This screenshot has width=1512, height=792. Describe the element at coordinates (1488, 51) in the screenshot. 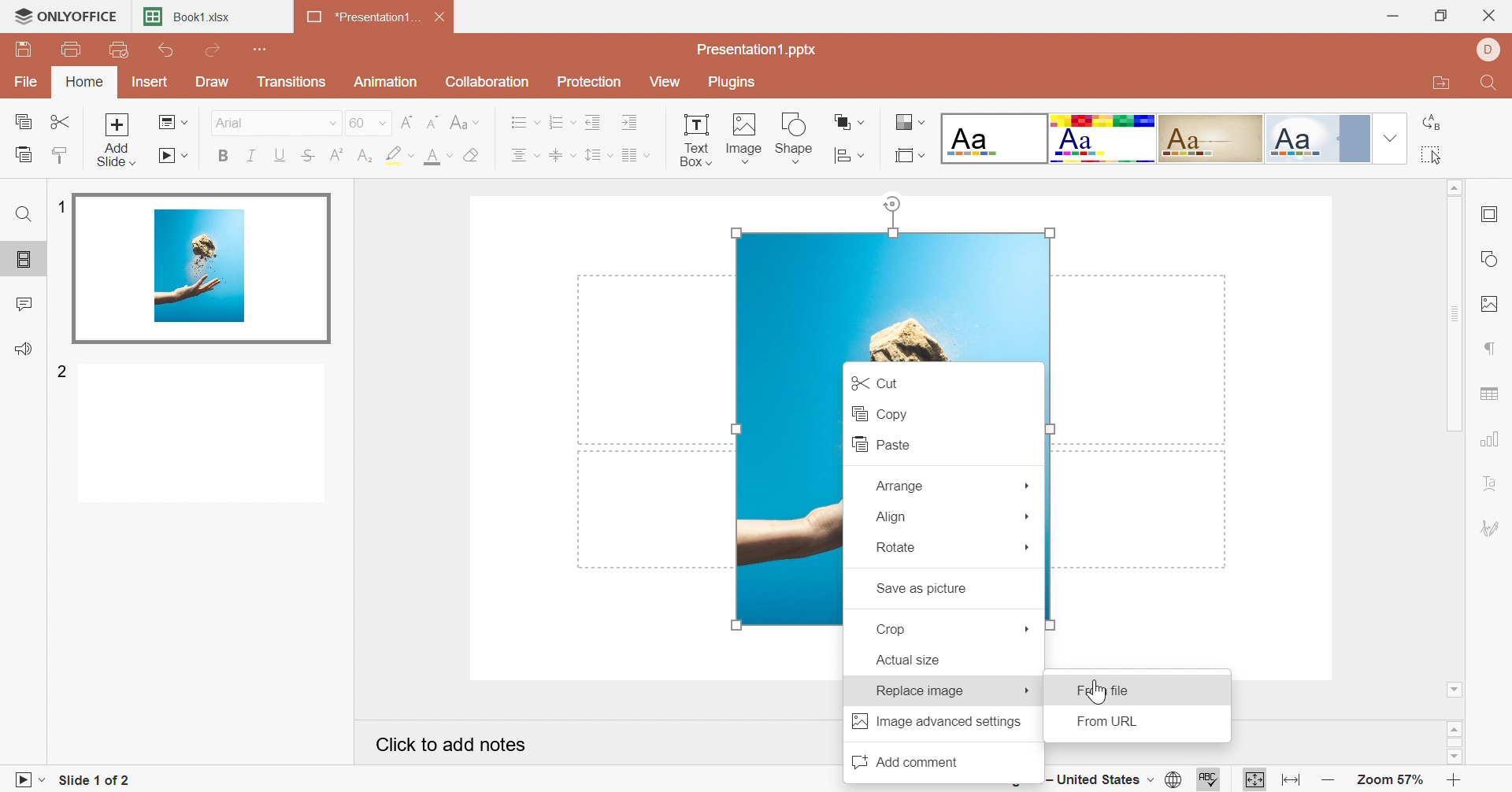

I see `Dell` at that location.